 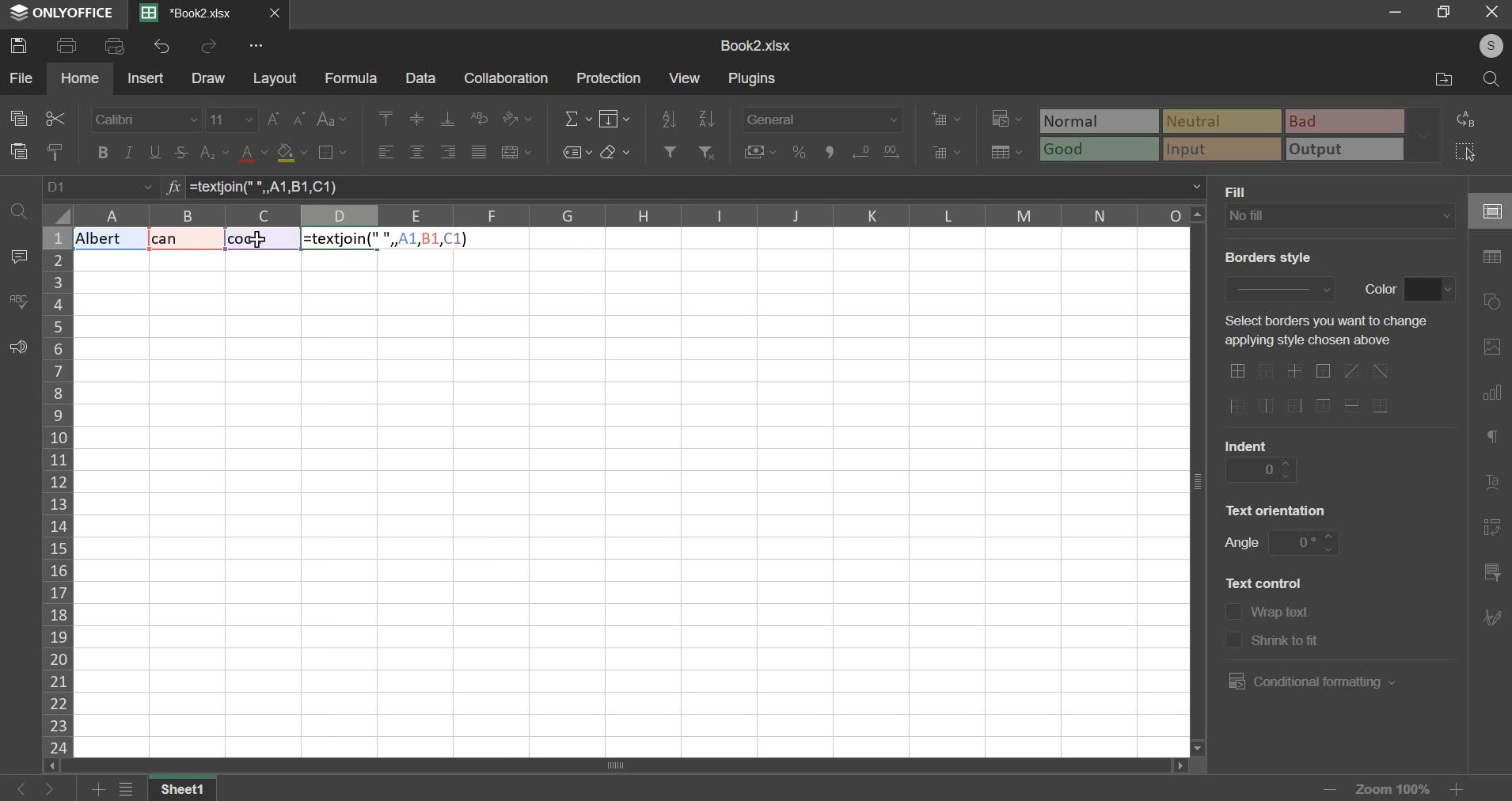 I want to click on text control, so click(x=1233, y=626).